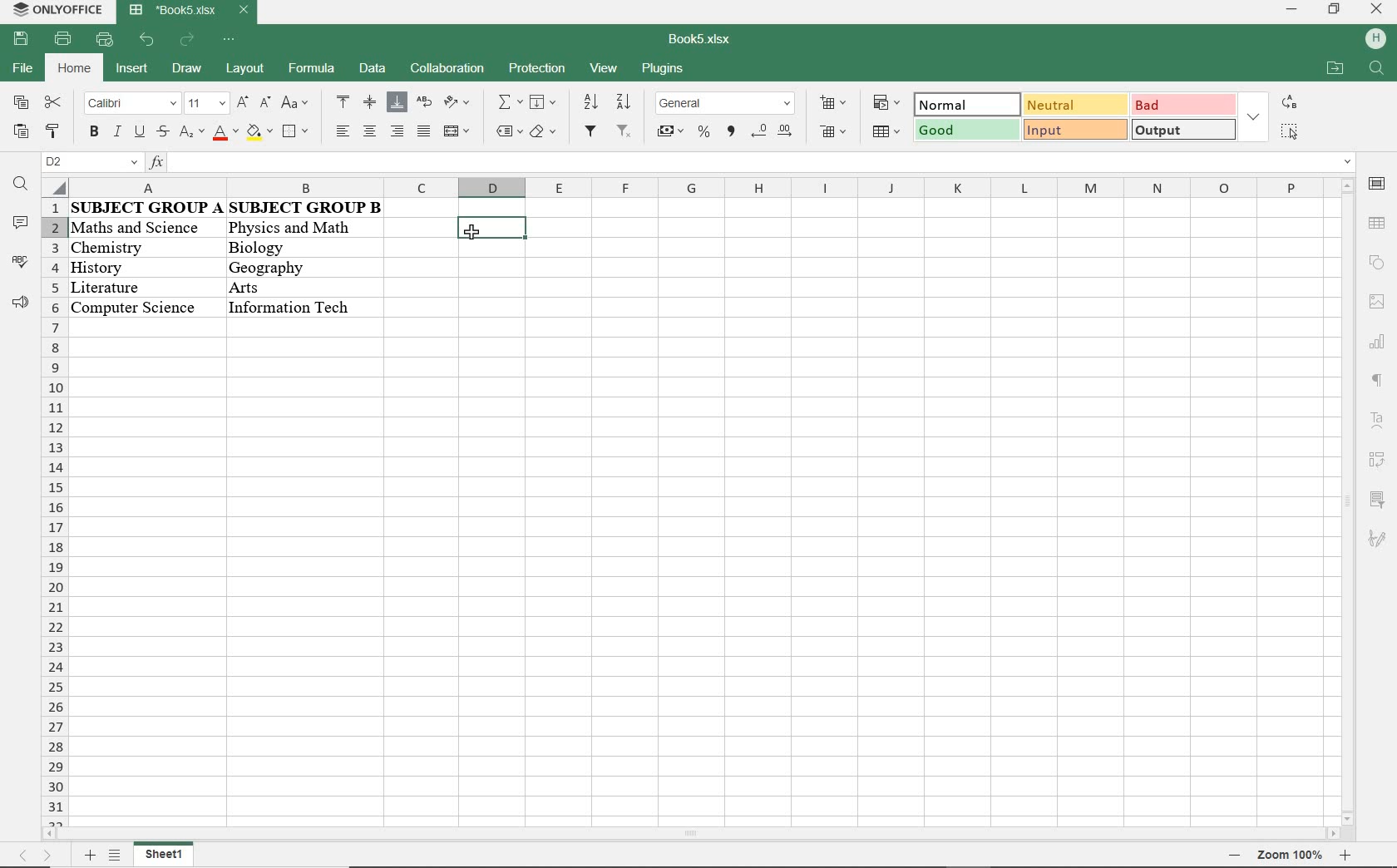  Describe the element at coordinates (370, 102) in the screenshot. I see `align middle` at that location.